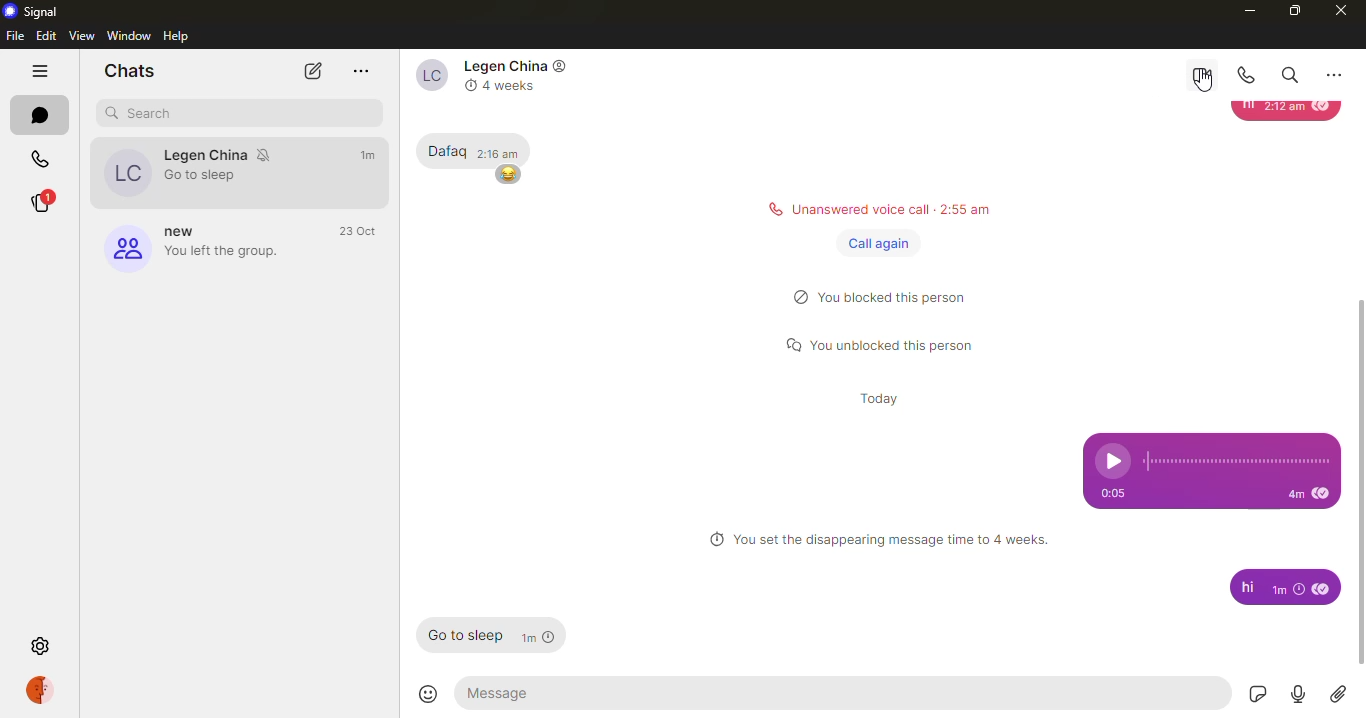 The image size is (1366, 718). Describe the element at coordinates (1326, 588) in the screenshot. I see `read` at that location.